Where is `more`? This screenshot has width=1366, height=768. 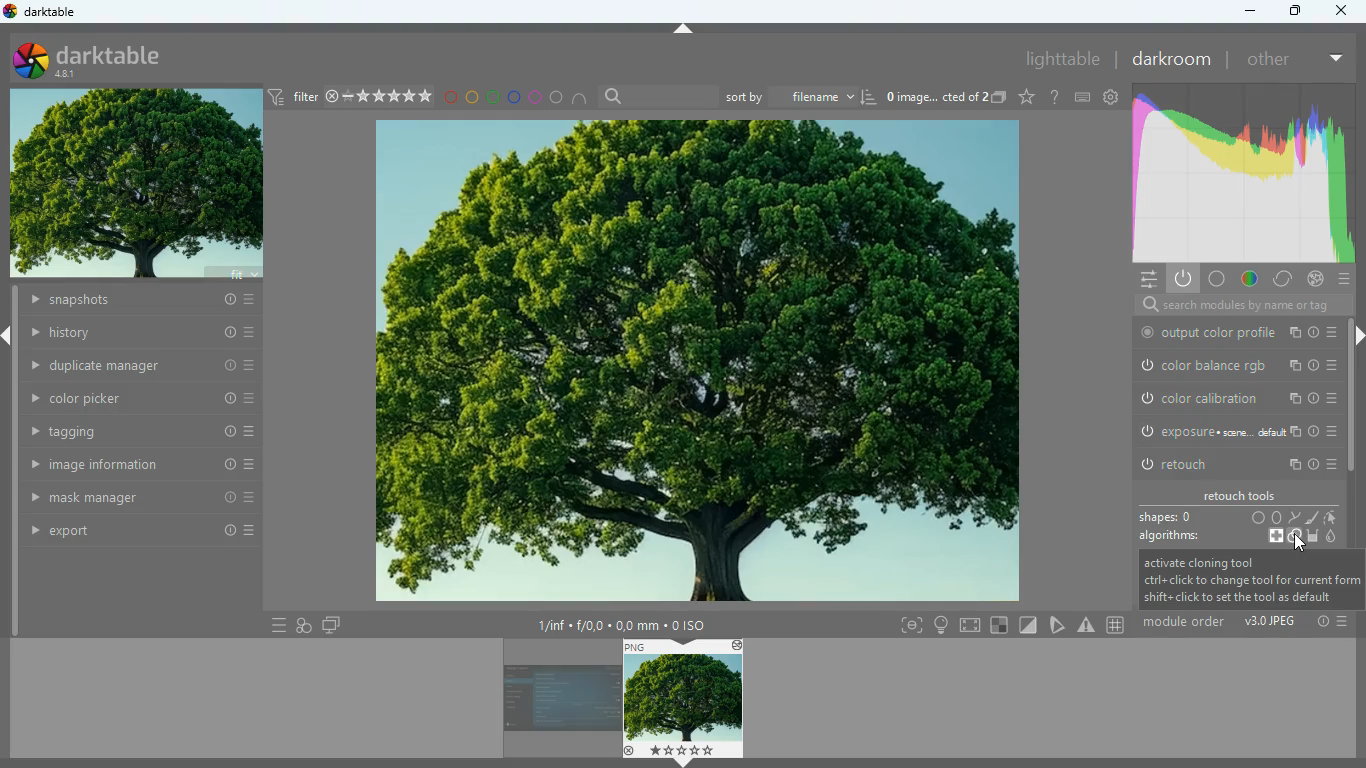 more is located at coordinates (1334, 60).